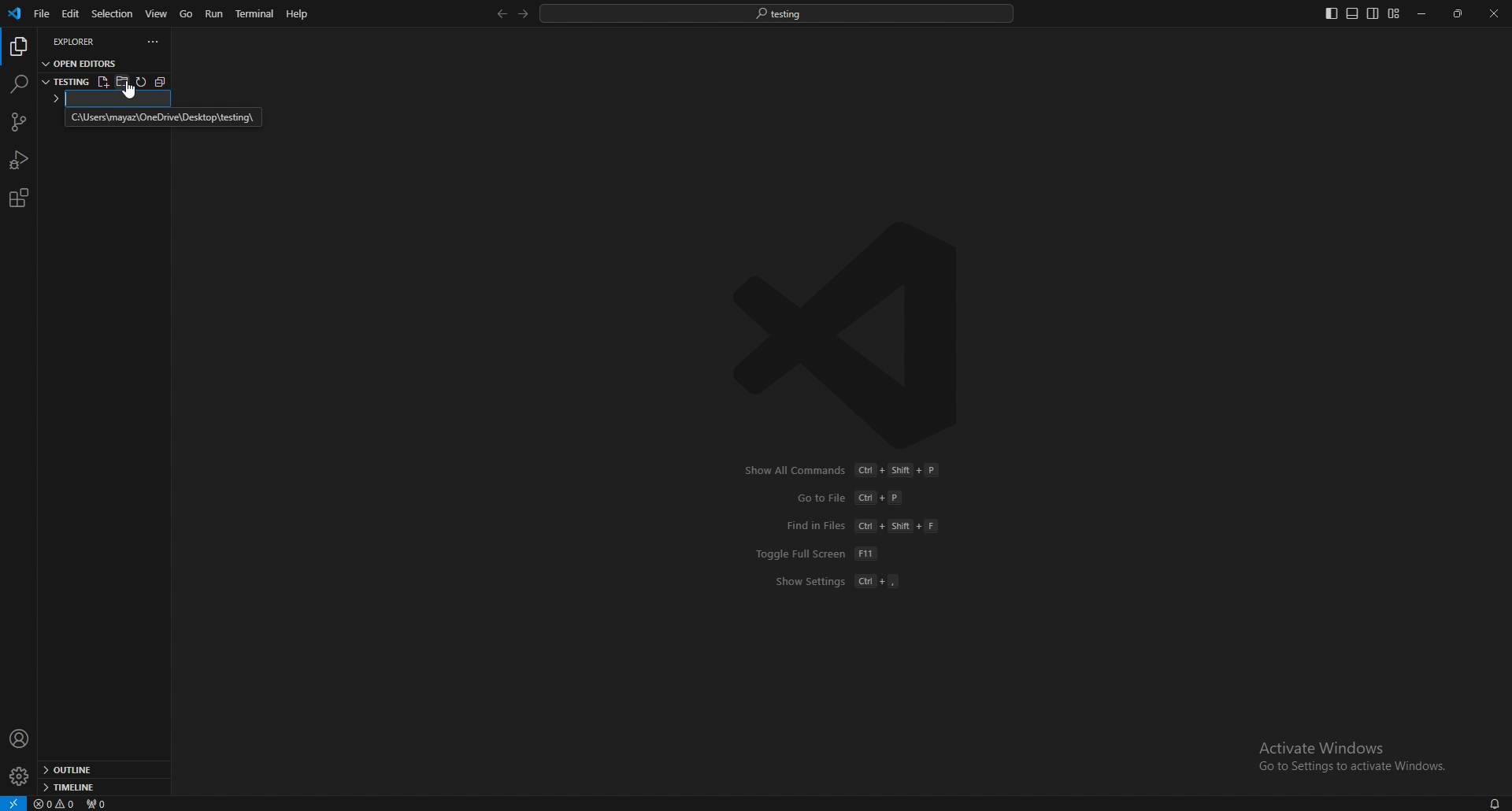 The image size is (1512, 811). What do you see at coordinates (498, 14) in the screenshot?
I see `back` at bounding box center [498, 14].